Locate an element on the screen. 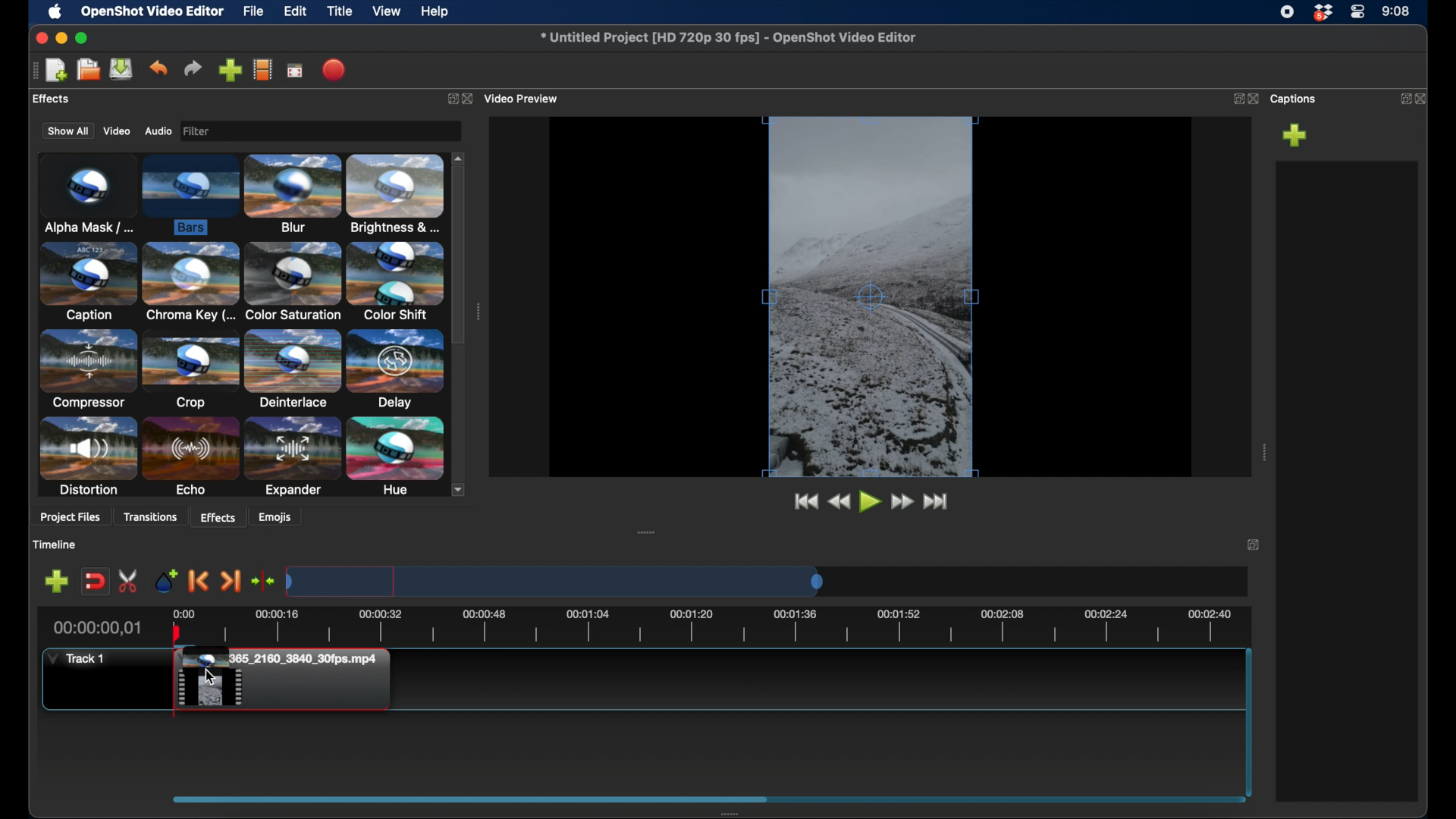  drag handle is located at coordinates (30, 71).